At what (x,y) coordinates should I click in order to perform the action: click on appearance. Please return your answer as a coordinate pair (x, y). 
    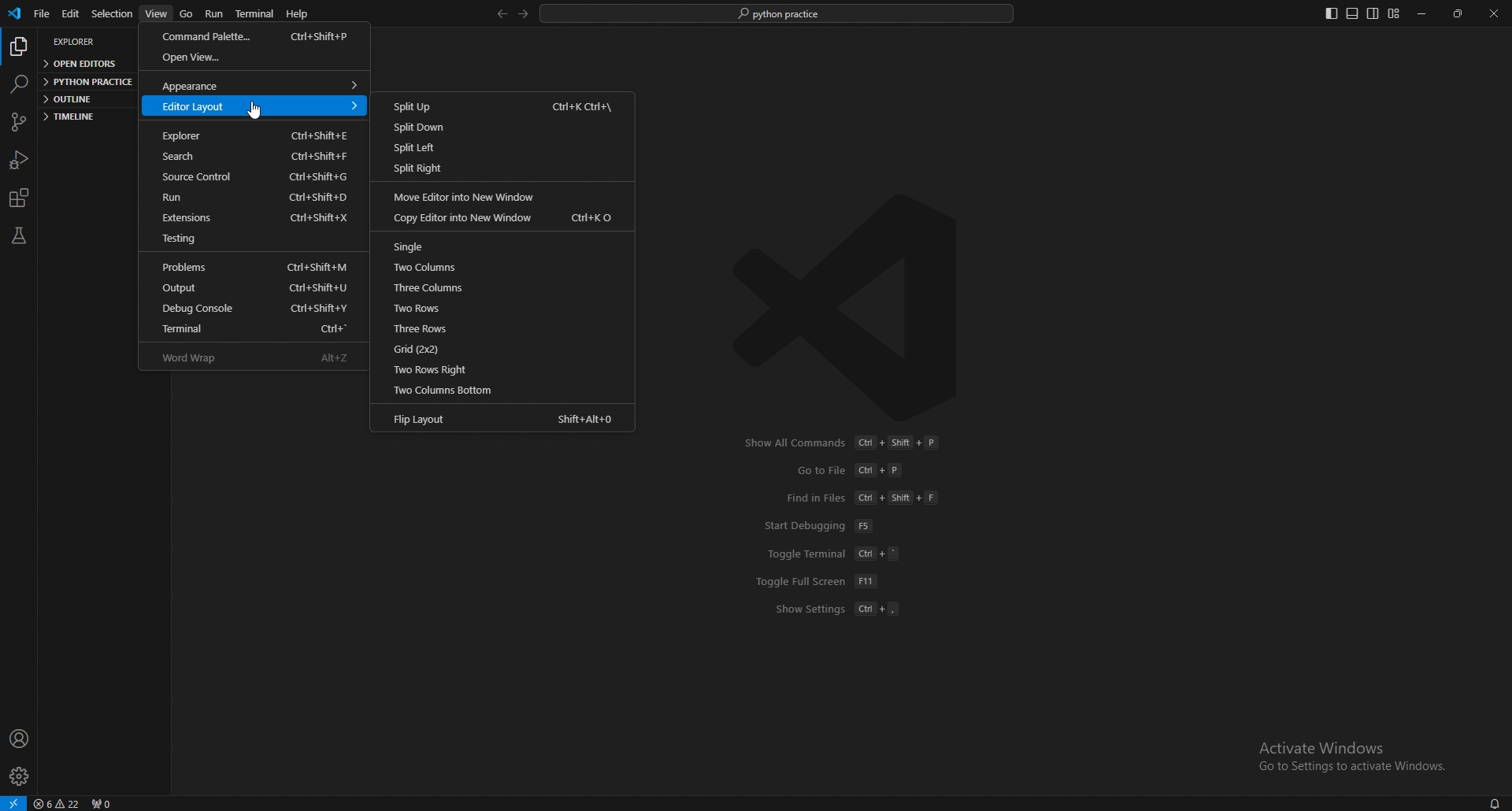
    Looking at the image, I should click on (254, 83).